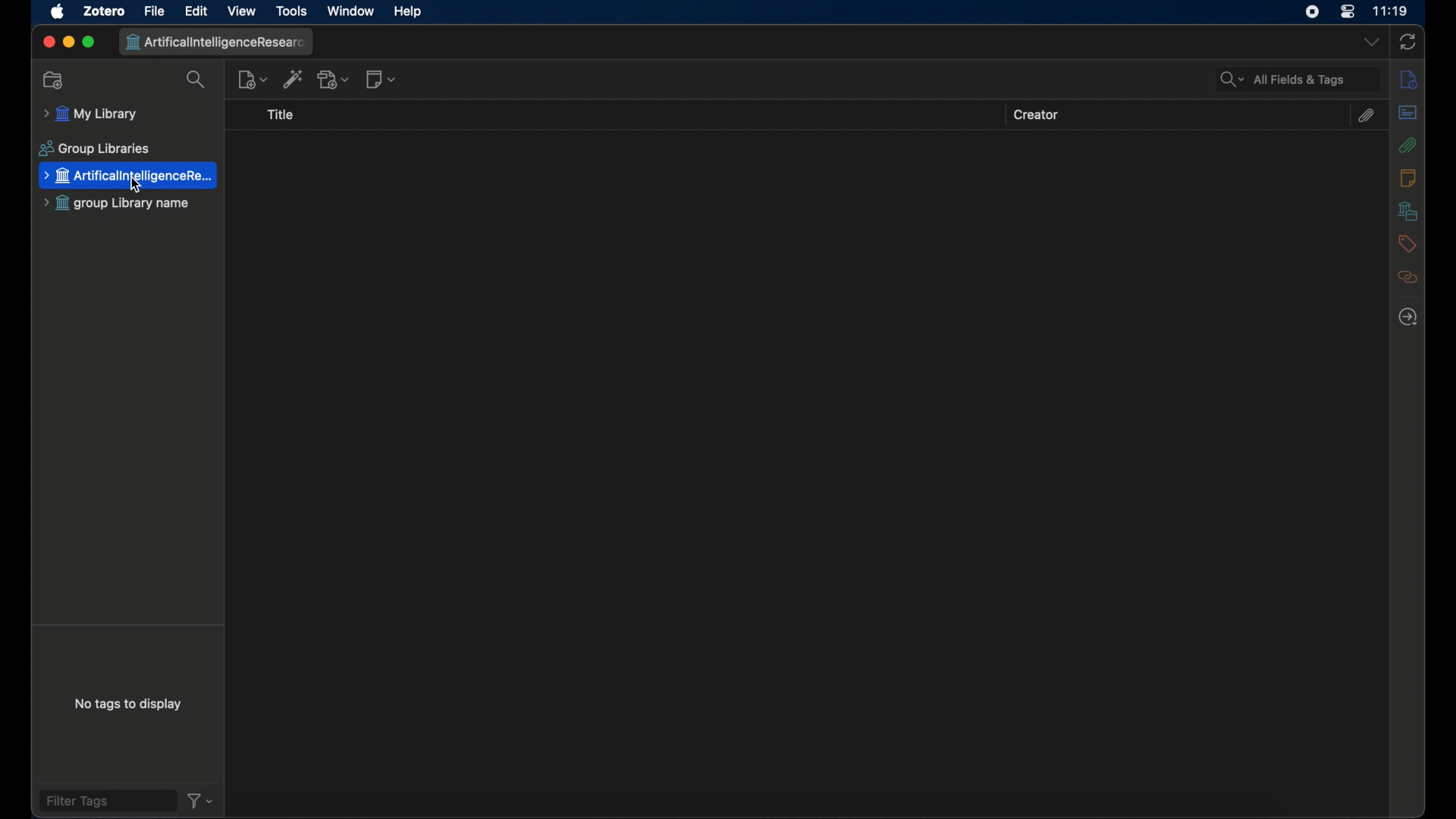 This screenshot has height=819, width=1456. Describe the element at coordinates (293, 79) in the screenshot. I see `add items by identifier` at that location.